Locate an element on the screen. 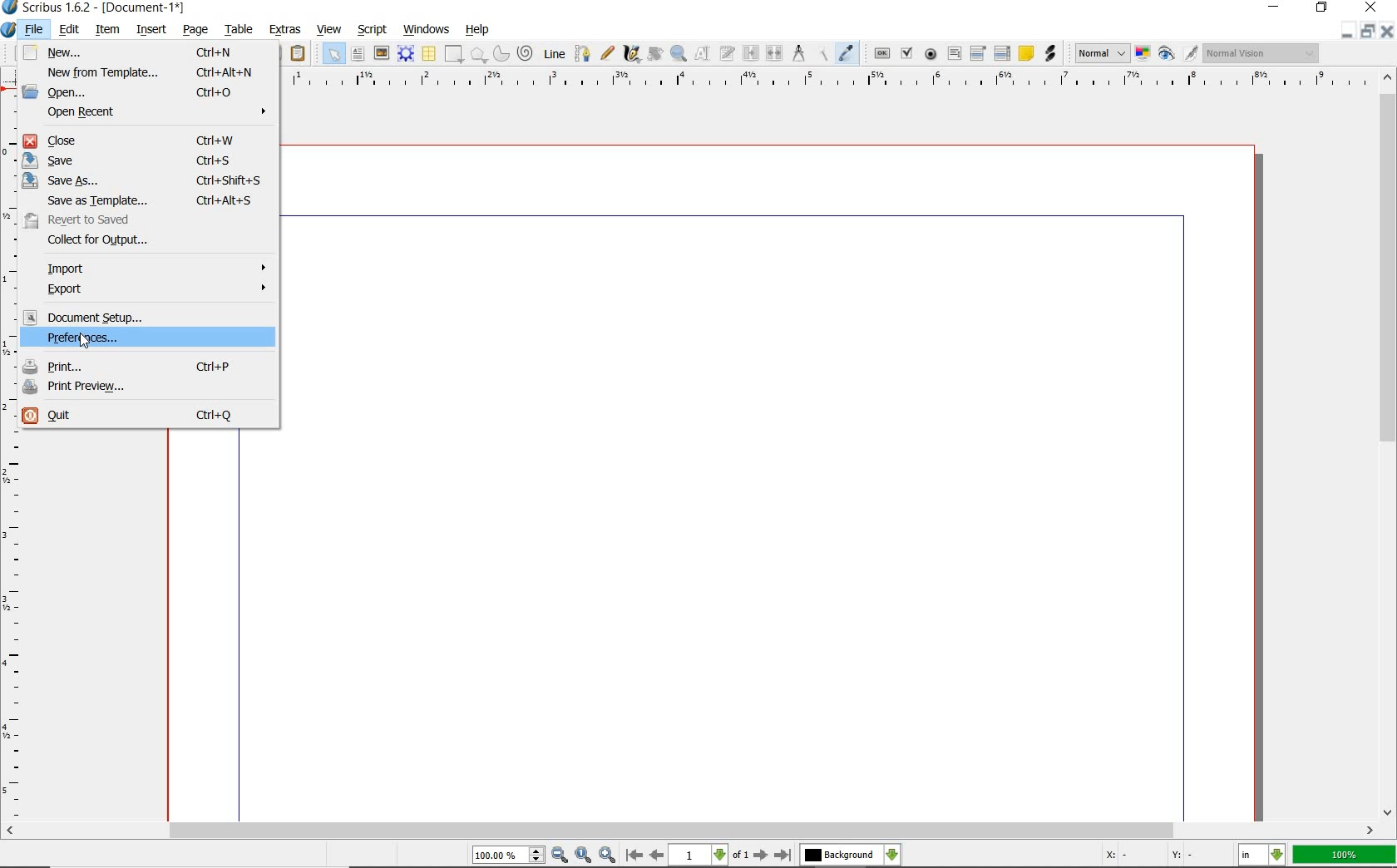  open is located at coordinates (146, 92).